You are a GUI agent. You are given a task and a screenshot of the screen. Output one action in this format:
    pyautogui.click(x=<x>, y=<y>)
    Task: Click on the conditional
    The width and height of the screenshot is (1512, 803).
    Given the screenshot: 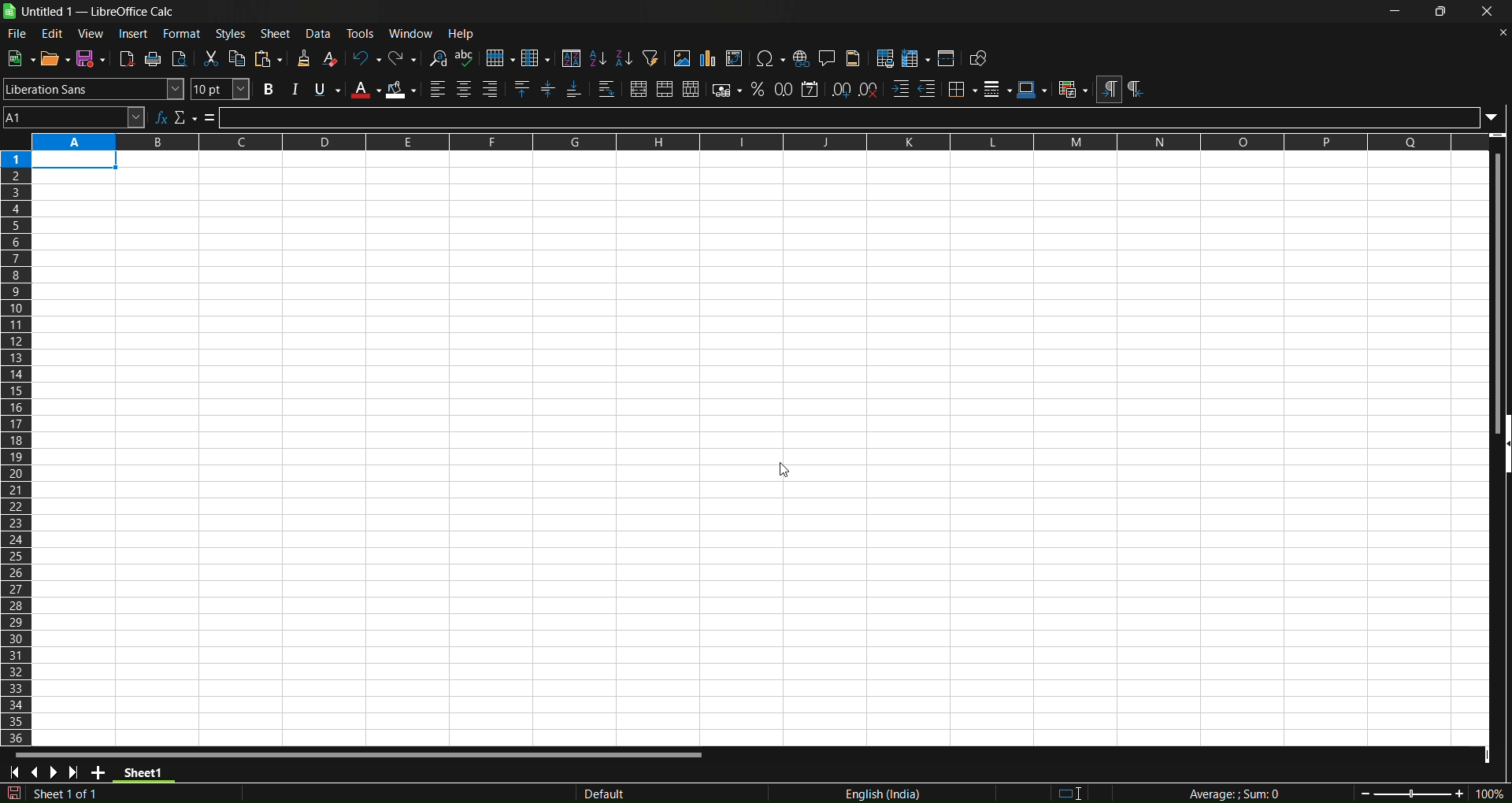 What is the action you would take?
    pyautogui.click(x=1072, y=90)
    